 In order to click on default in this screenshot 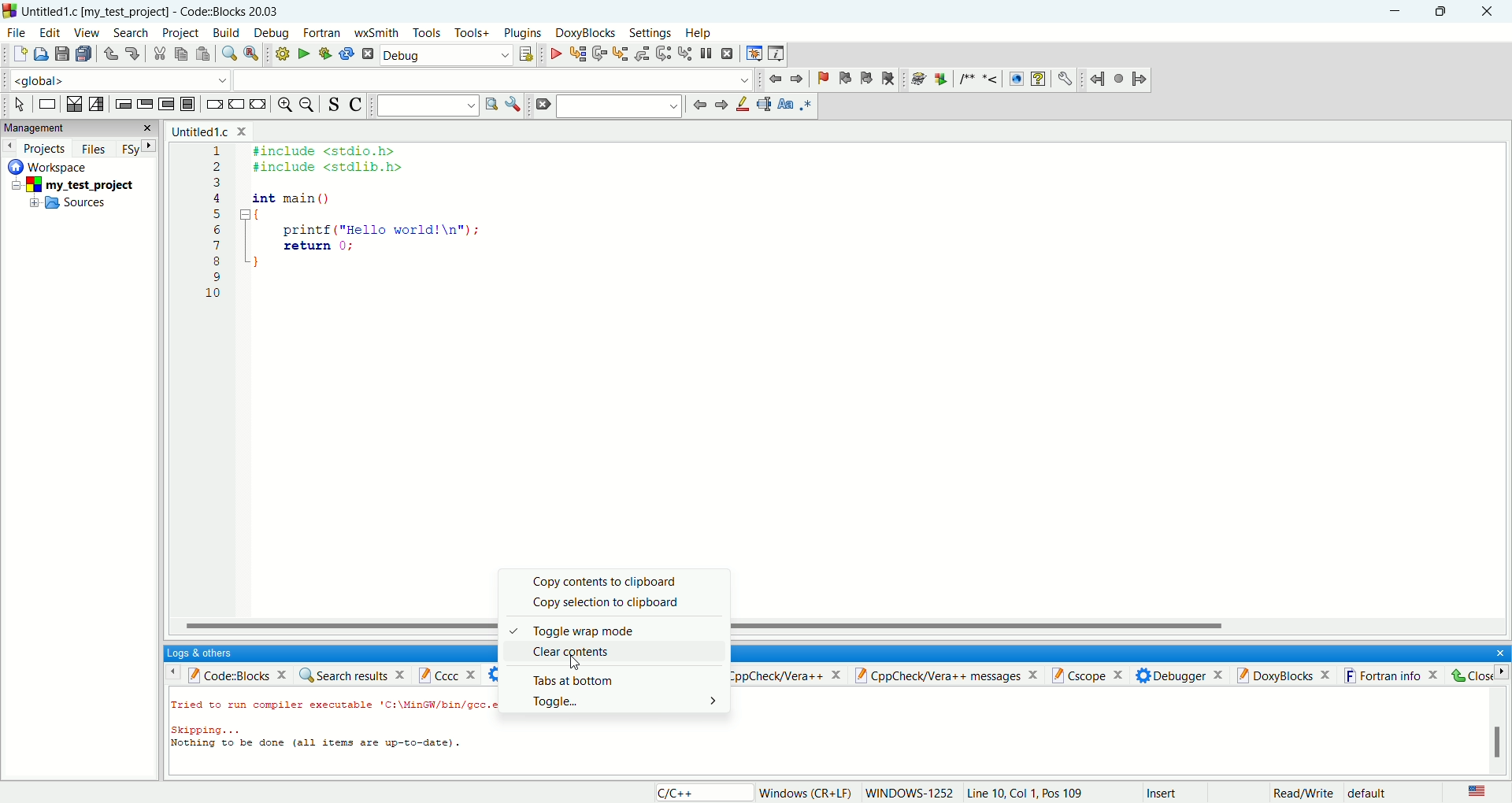, I will do `click(1369, 794)`.